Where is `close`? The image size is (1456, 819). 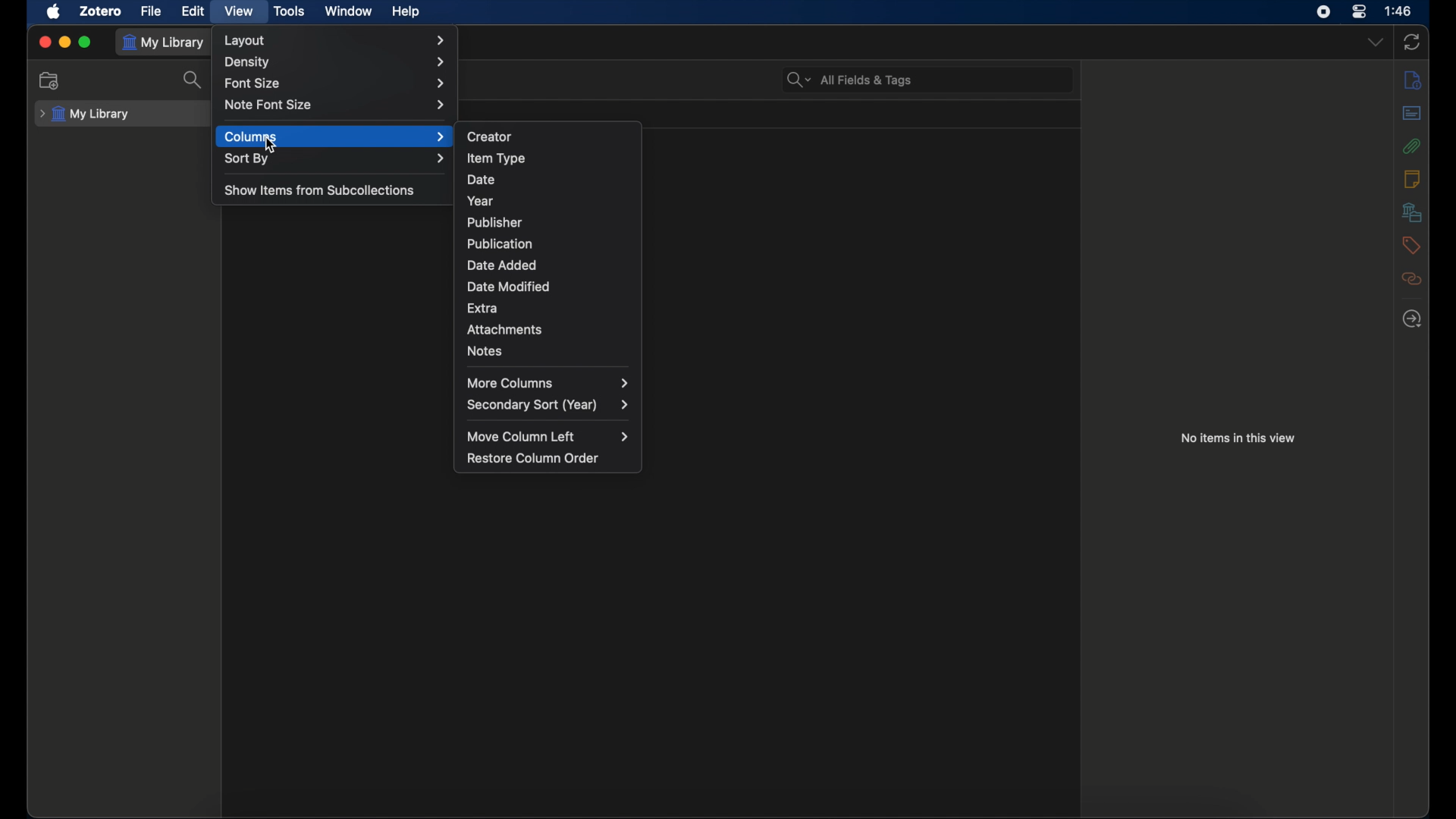
close is located at coordinates (42, 42).